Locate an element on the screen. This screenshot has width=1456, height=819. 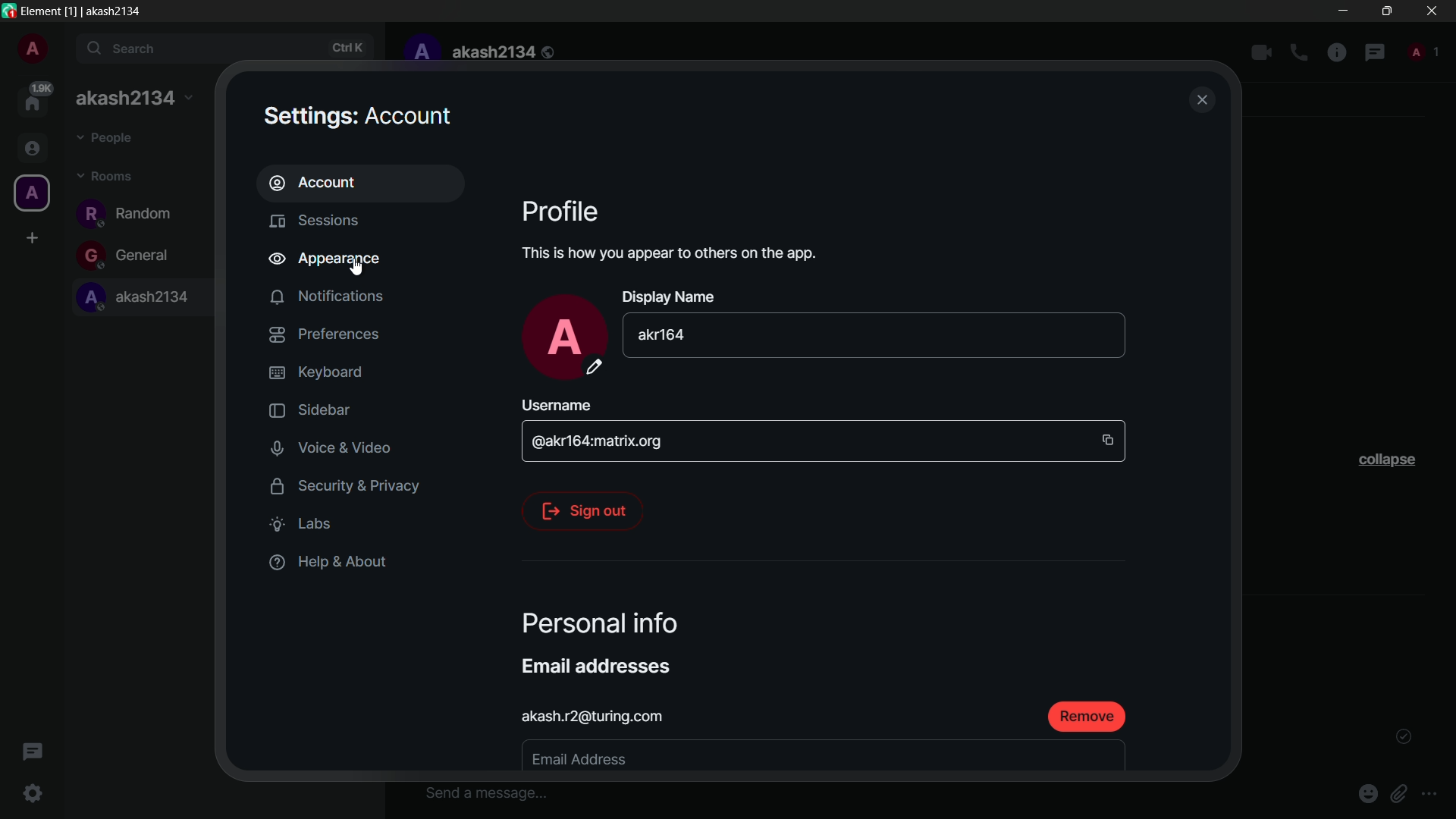
emoji is located at coordinates (1370, 792).